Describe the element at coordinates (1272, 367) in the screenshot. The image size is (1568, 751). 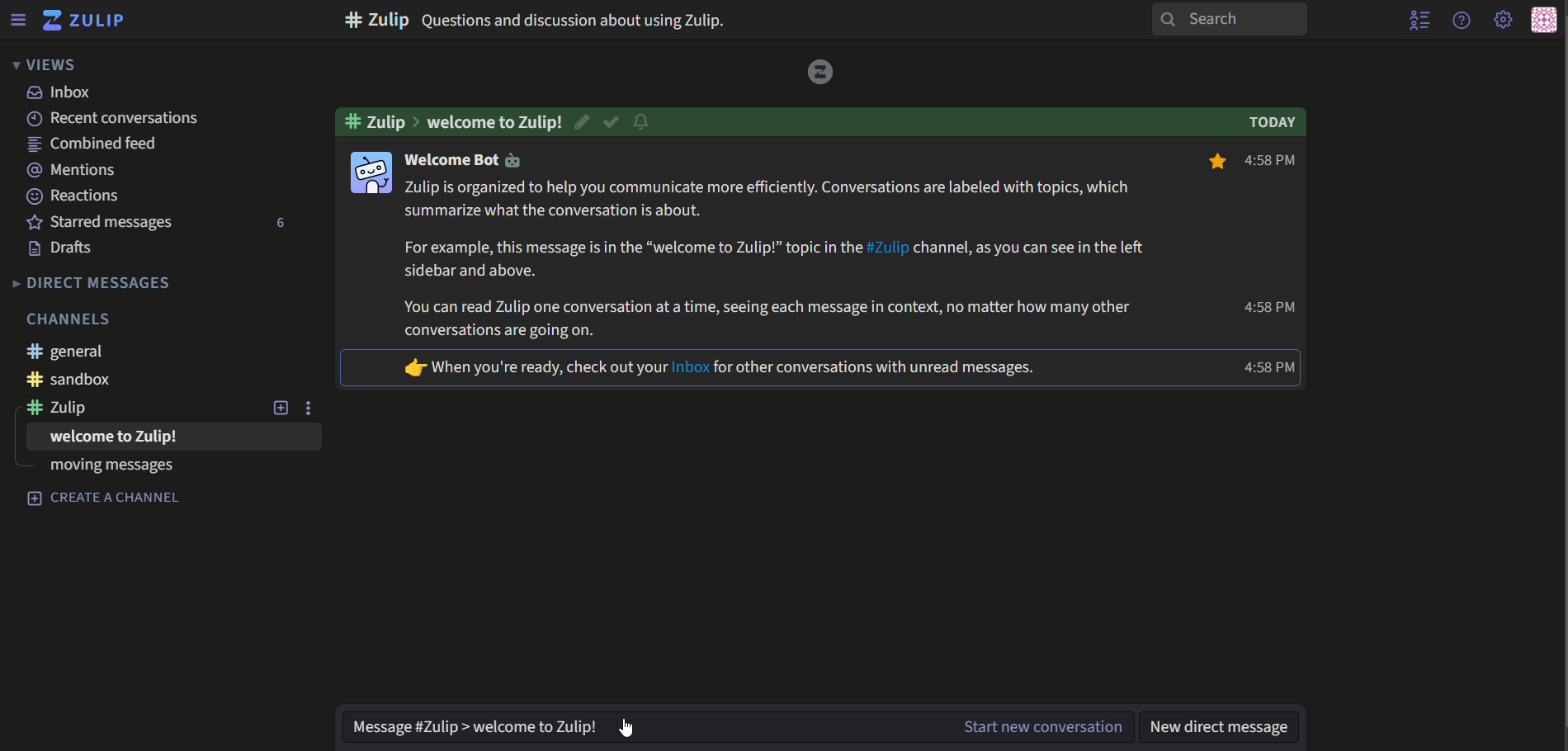
I see `Time` at that location.